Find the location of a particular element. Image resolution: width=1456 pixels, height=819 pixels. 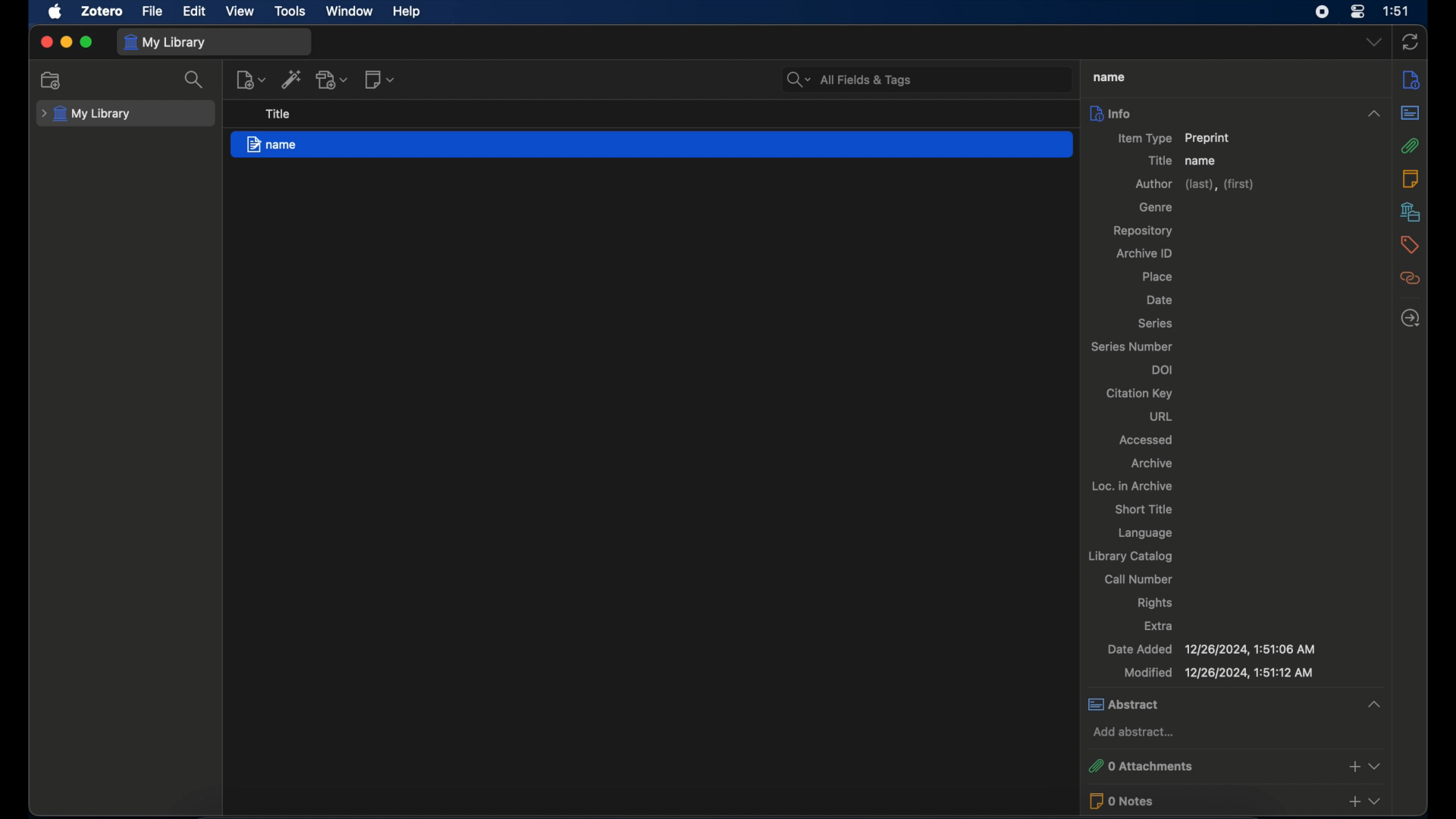

new item is located at coordinates (250, 79).